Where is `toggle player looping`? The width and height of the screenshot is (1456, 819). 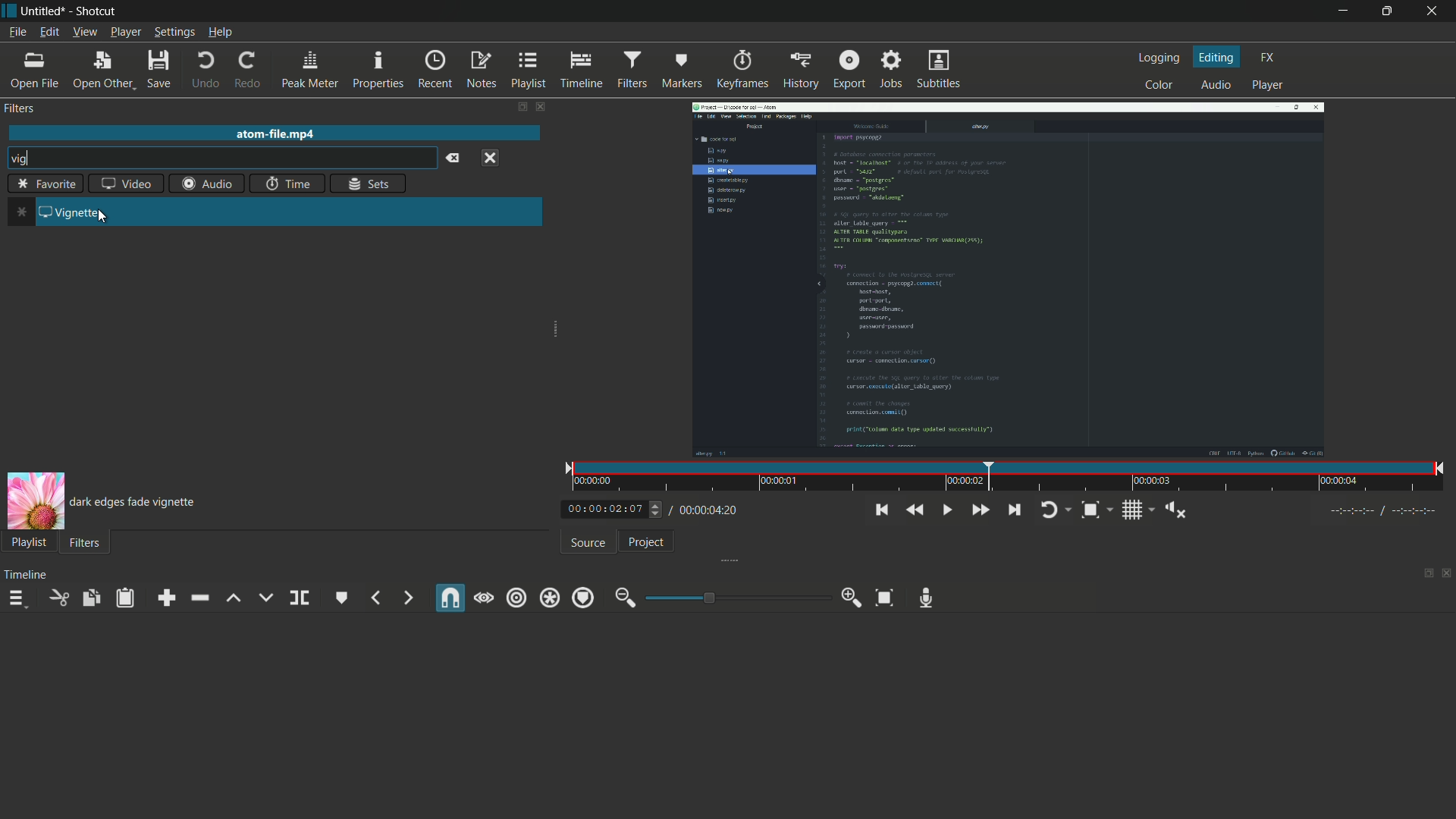
toggle player looping is located at coordinates (1056, 510).